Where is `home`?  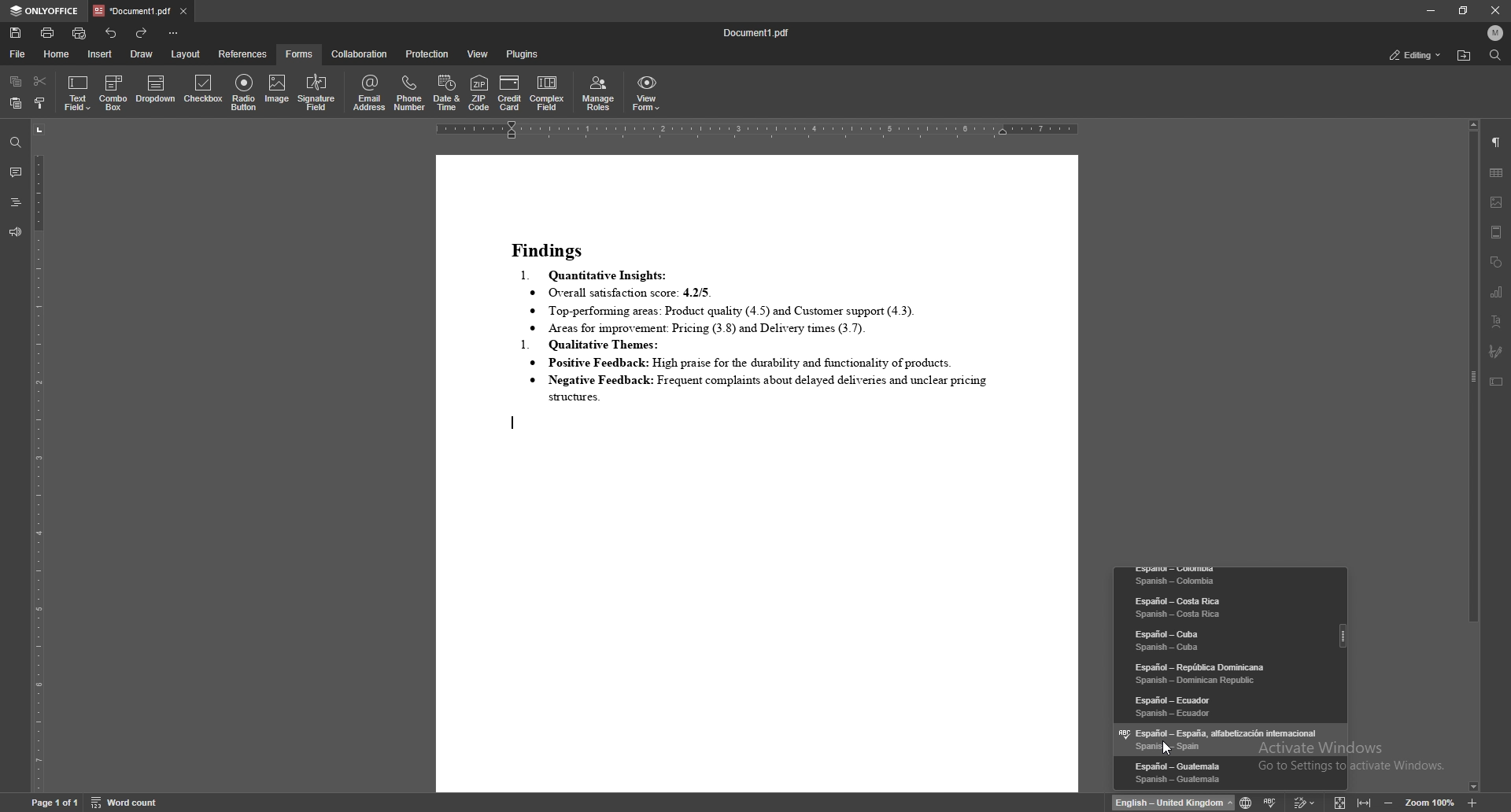 home is located at coordinates (57, 55).